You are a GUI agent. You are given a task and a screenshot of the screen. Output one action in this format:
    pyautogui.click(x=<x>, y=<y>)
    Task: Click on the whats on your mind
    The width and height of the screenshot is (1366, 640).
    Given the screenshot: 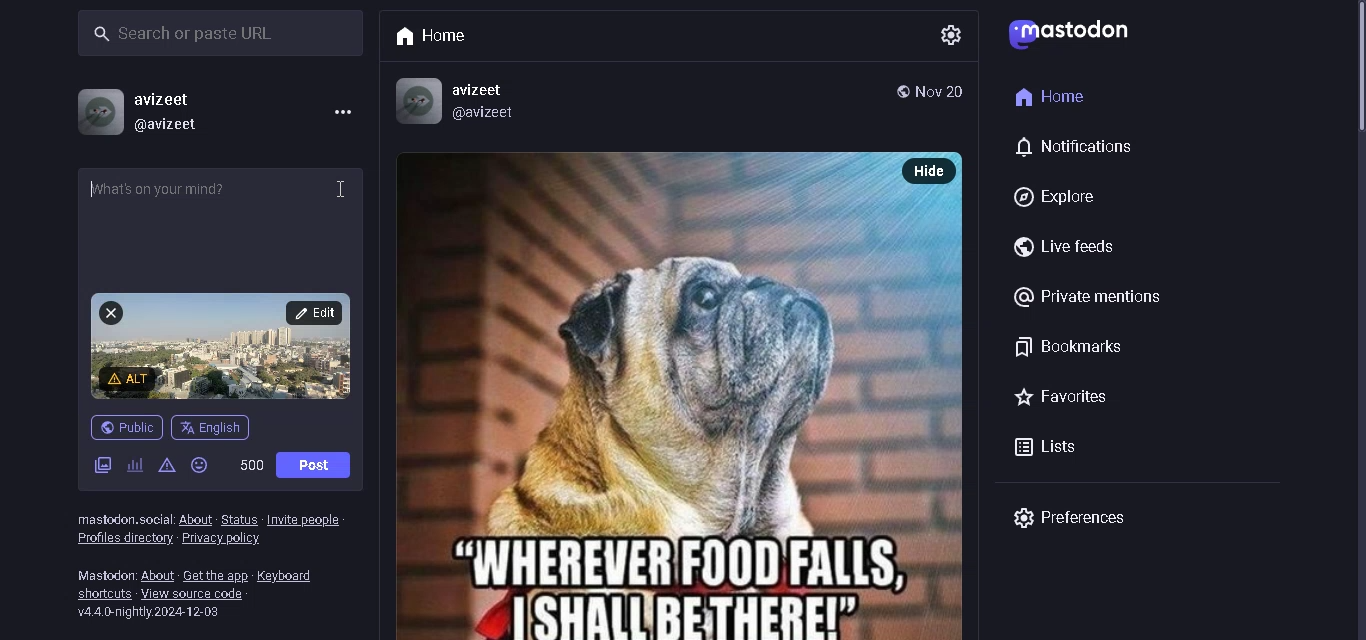 What is the action you would take?
    pyautogui.click(x=218, y=223)
    